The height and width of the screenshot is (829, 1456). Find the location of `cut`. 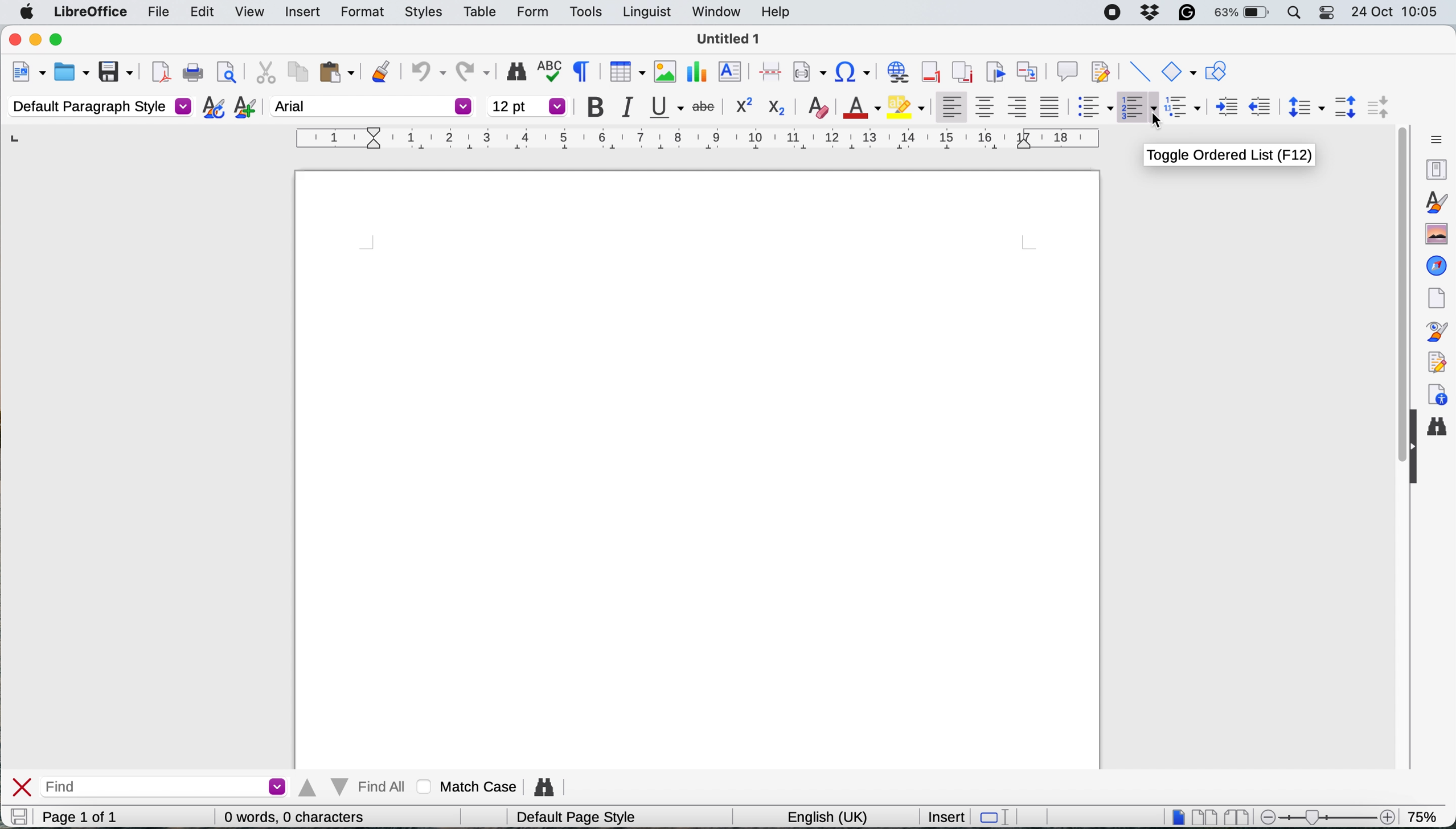

cut is located at coordinates (265, 72).